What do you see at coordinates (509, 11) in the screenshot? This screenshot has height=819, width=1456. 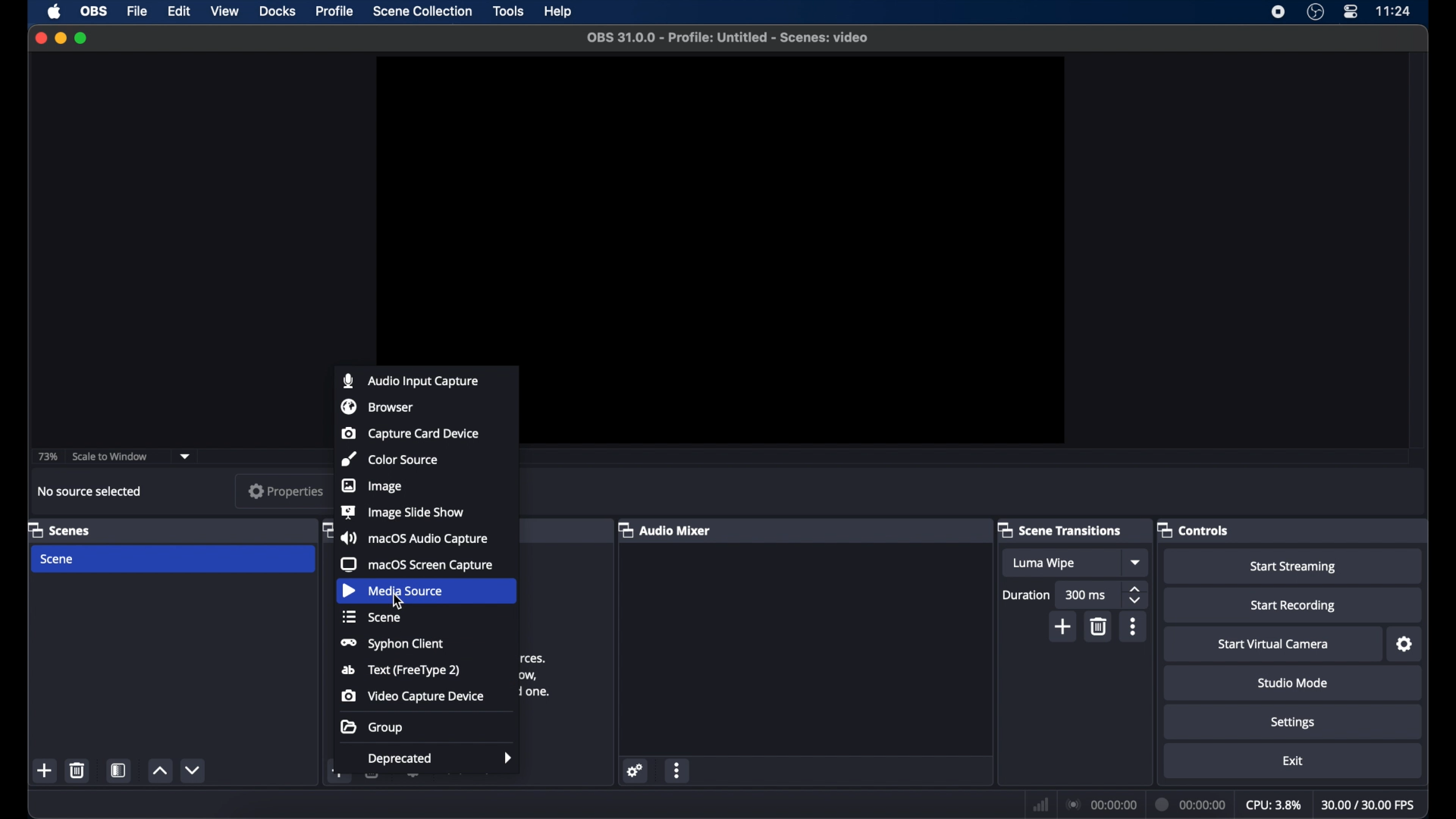 I see `tools` at bounding box center [509, 11].